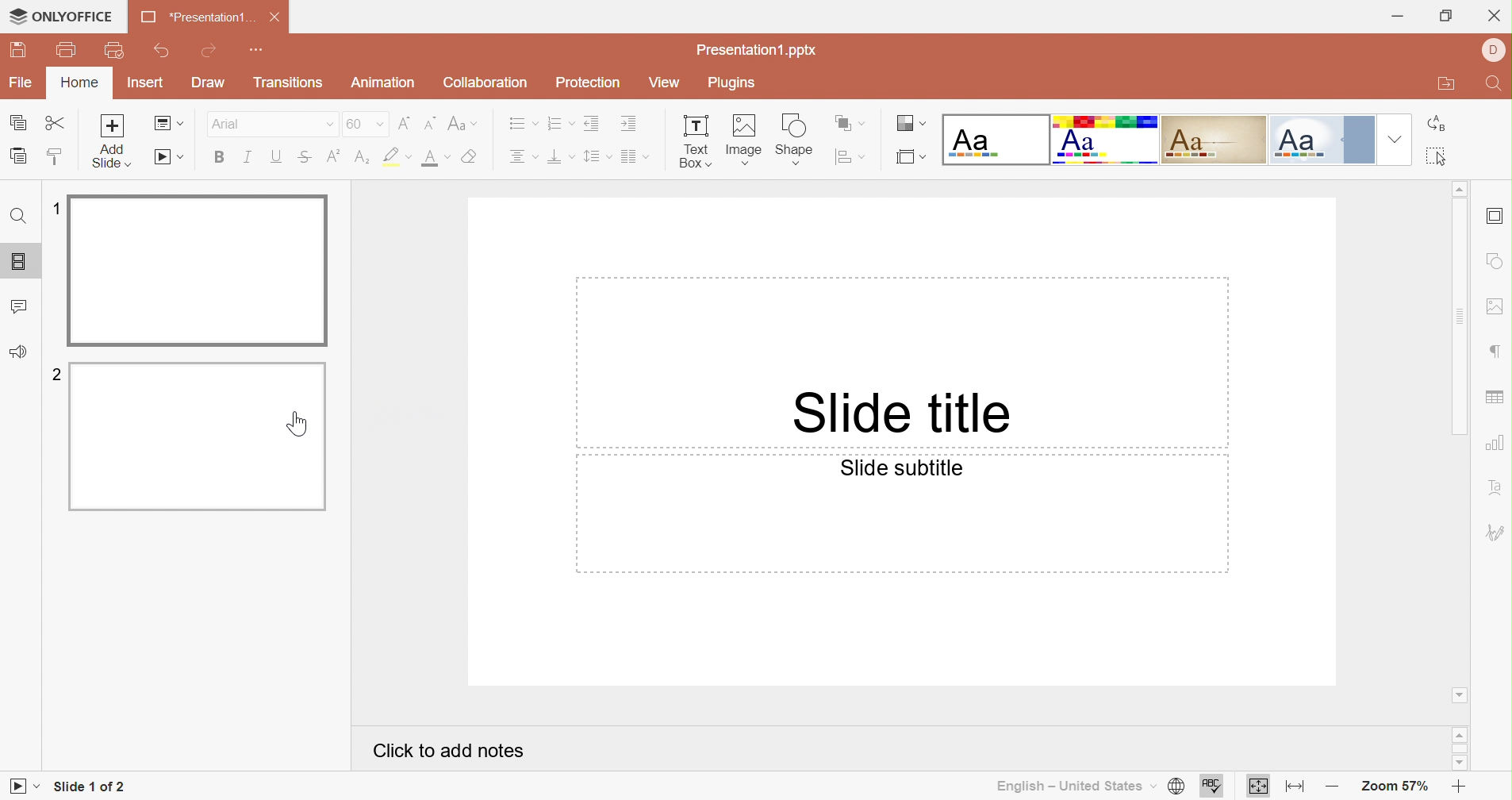  I want to click on Protection, so click(589, 84).